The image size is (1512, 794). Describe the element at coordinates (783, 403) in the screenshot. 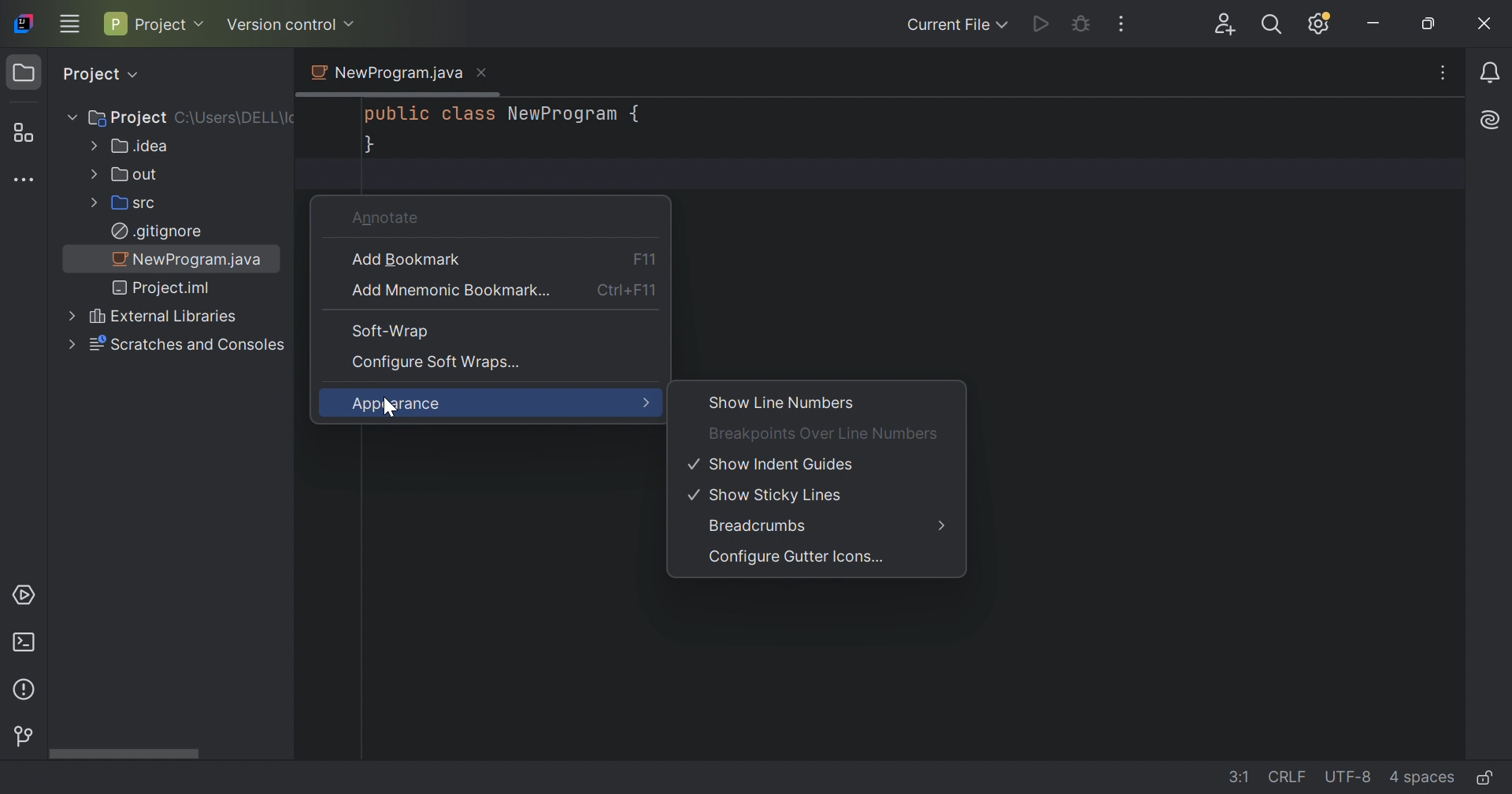

I see `Show Line Numbers` at that location.